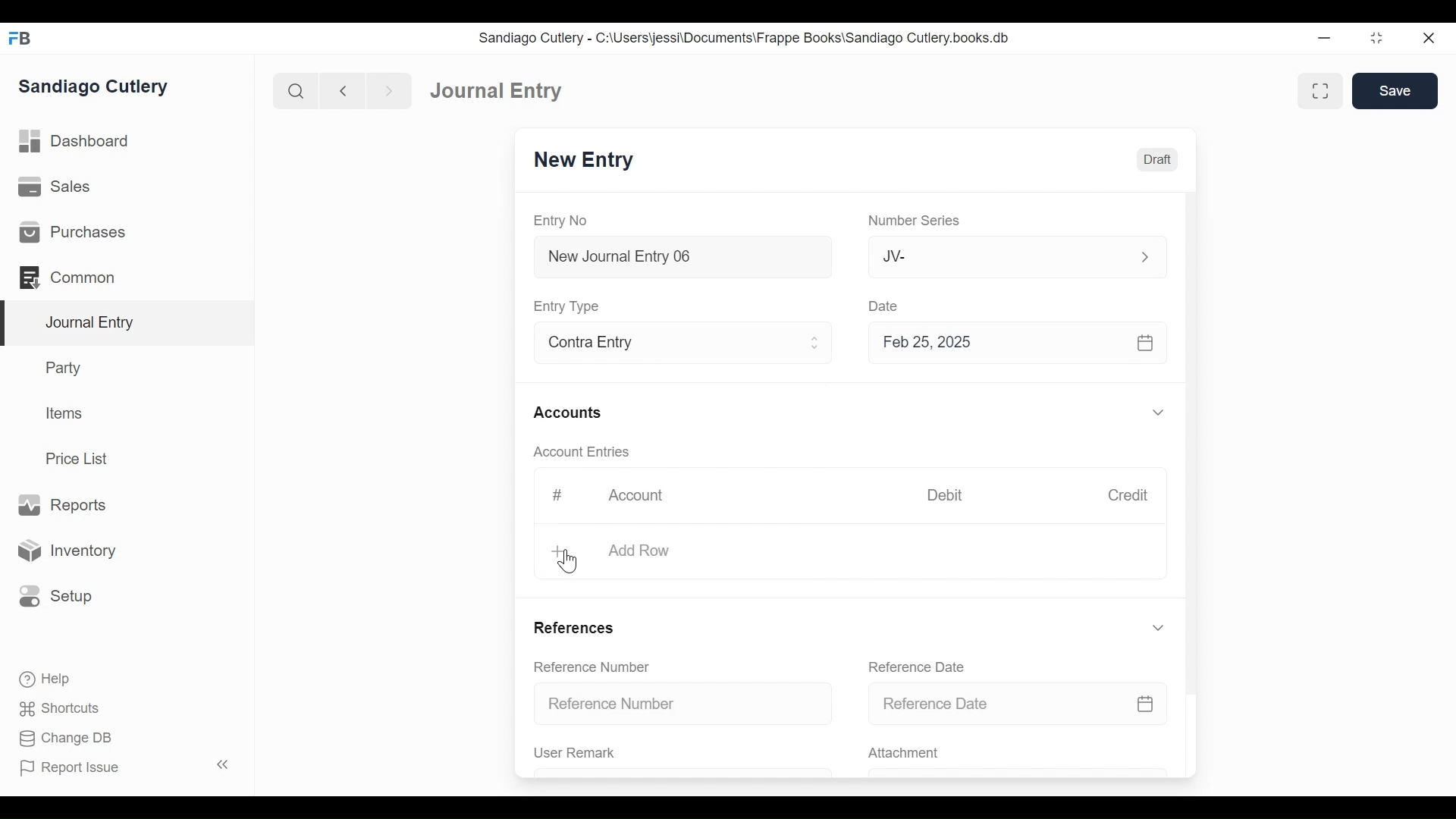  I want to click on Change DB, so click(68, 740).